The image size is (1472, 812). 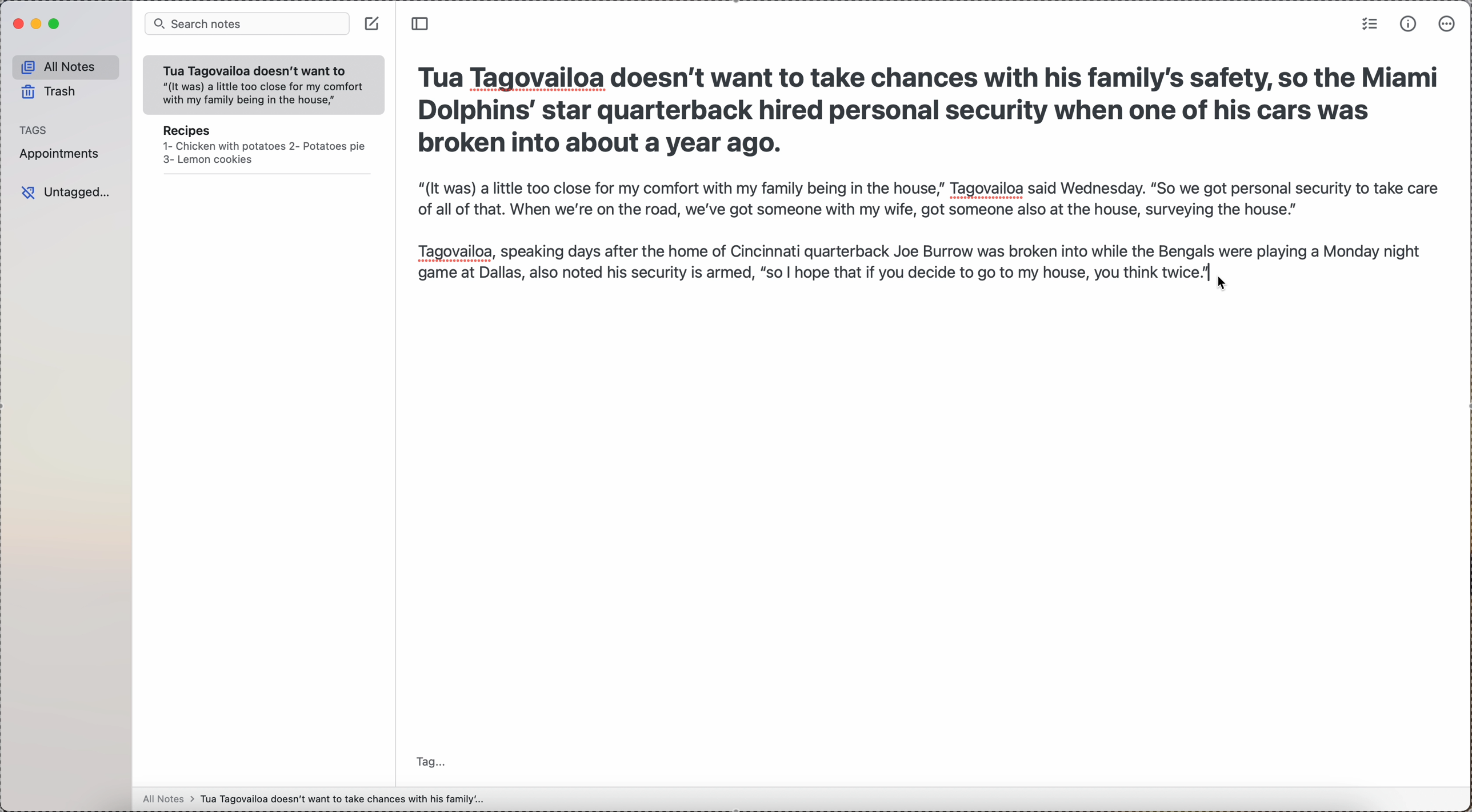 What do you see at coordinates (38, 25) in the screenshot?
I see `minimize app` at bounding box center [38, 25].